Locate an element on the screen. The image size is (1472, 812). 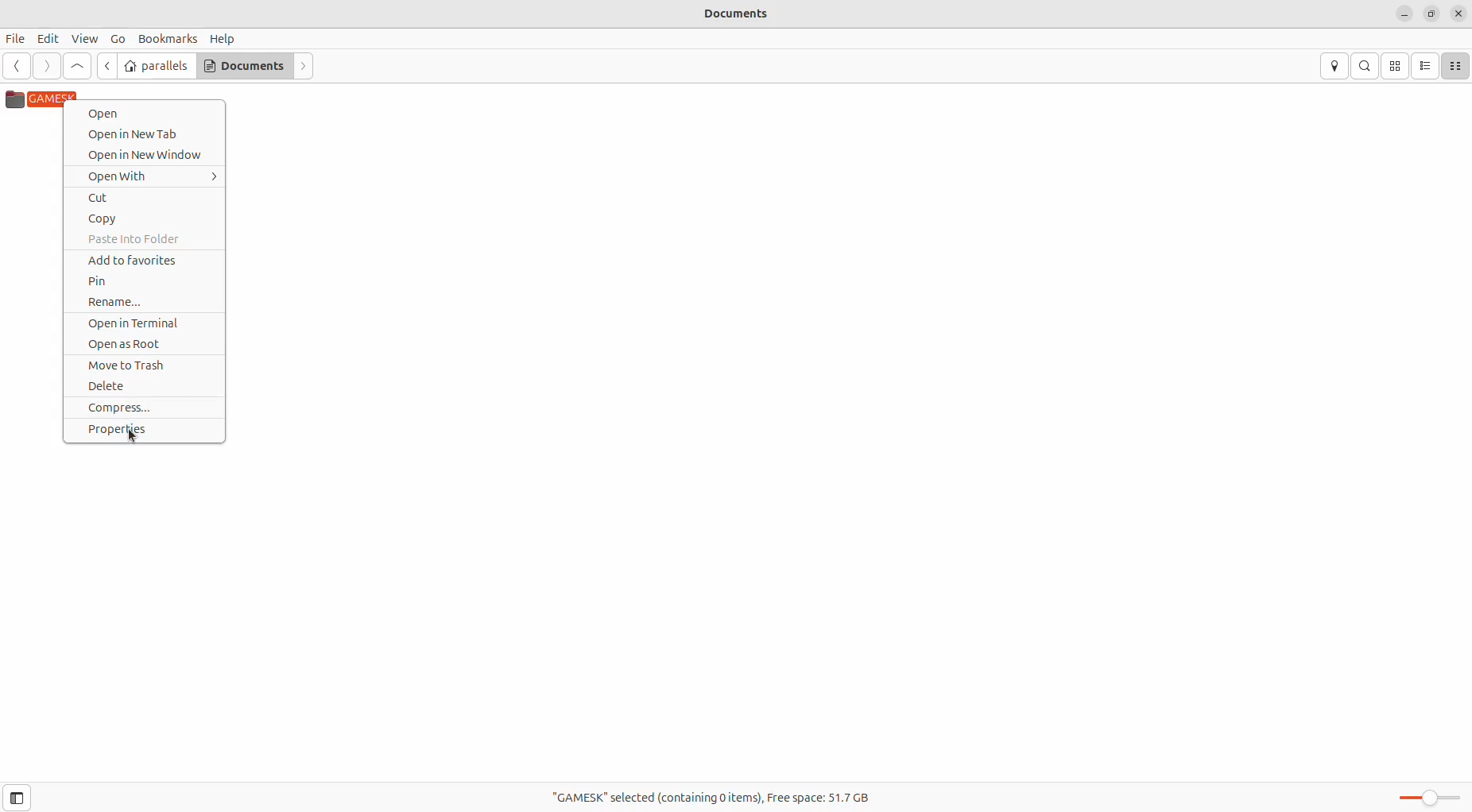
paste into folder is located at coordinates (143, 239).